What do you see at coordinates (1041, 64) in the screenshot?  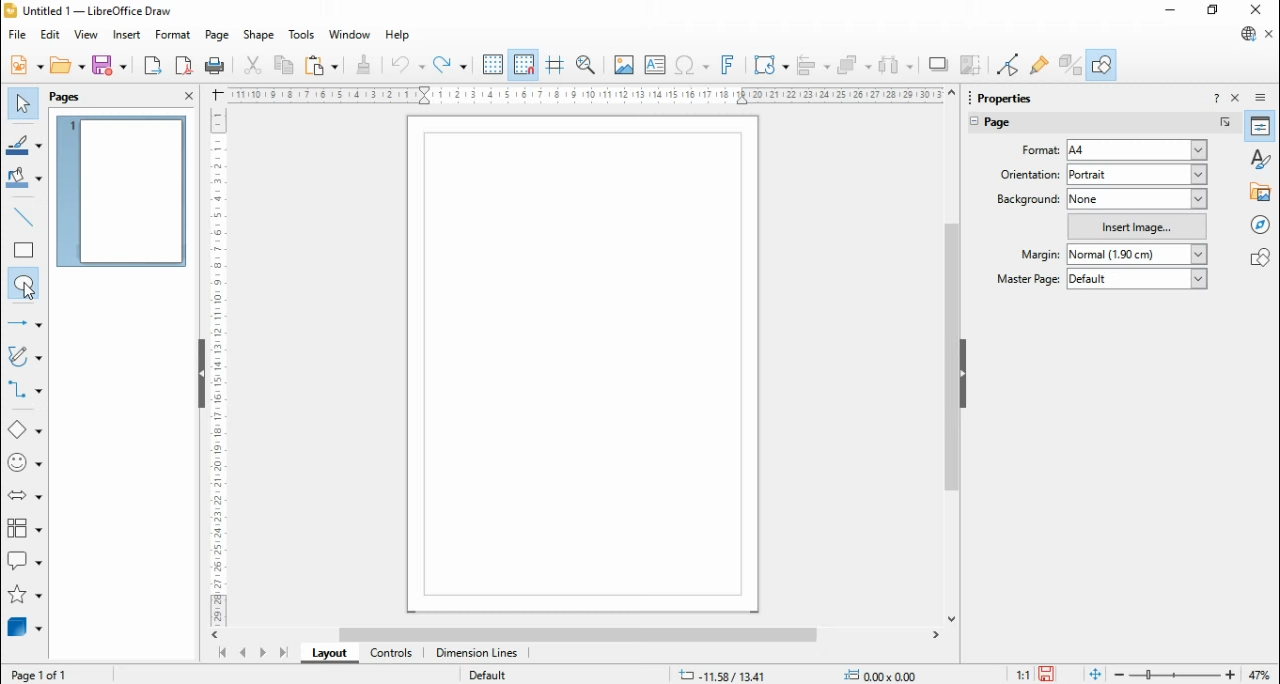 I see `show glue point functions` at bounding box center [1041, 64].